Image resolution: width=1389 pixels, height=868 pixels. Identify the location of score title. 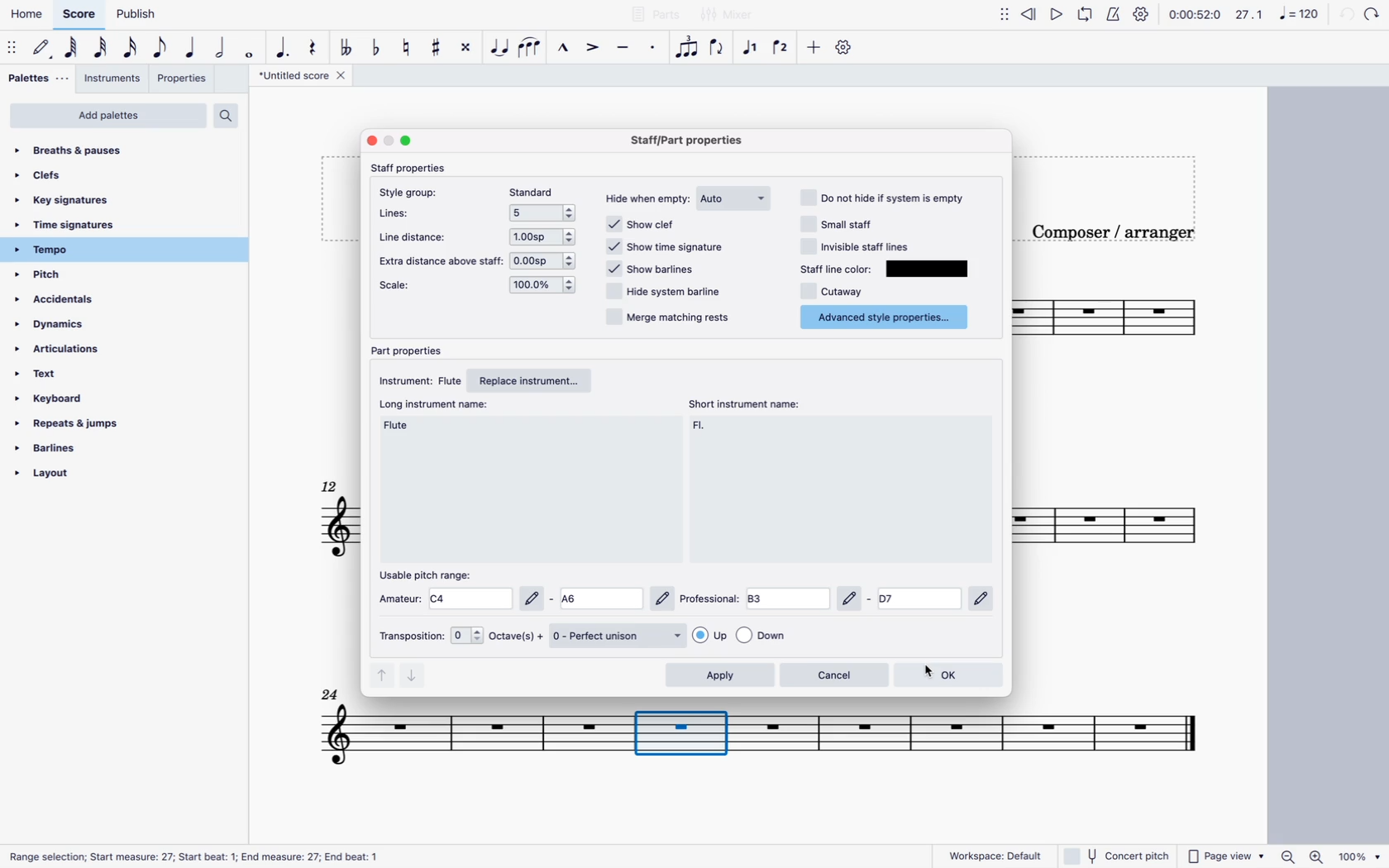
(294, 75).